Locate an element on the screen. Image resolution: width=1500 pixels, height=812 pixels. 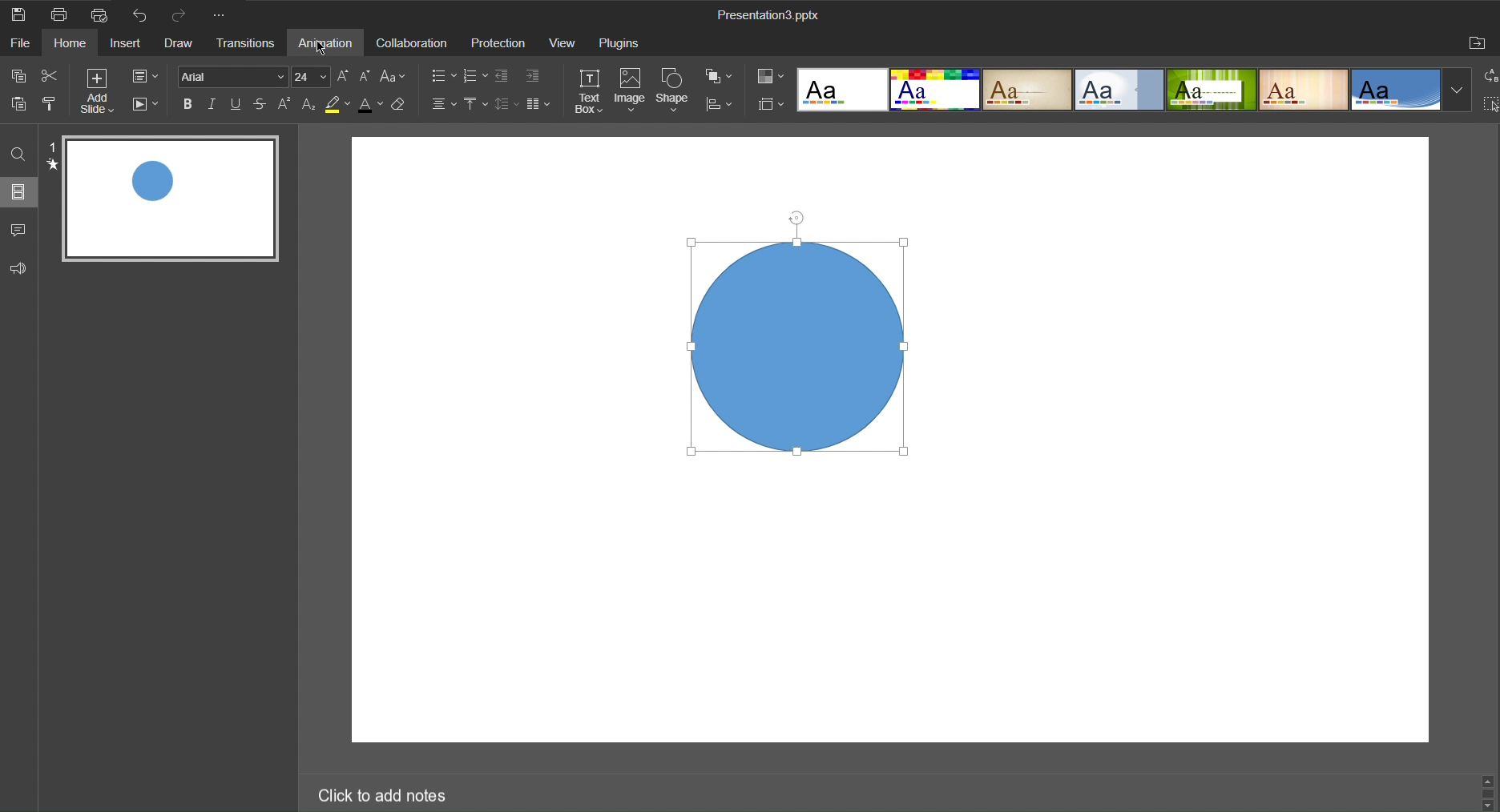
Underline is located at coordinates (238, 106).